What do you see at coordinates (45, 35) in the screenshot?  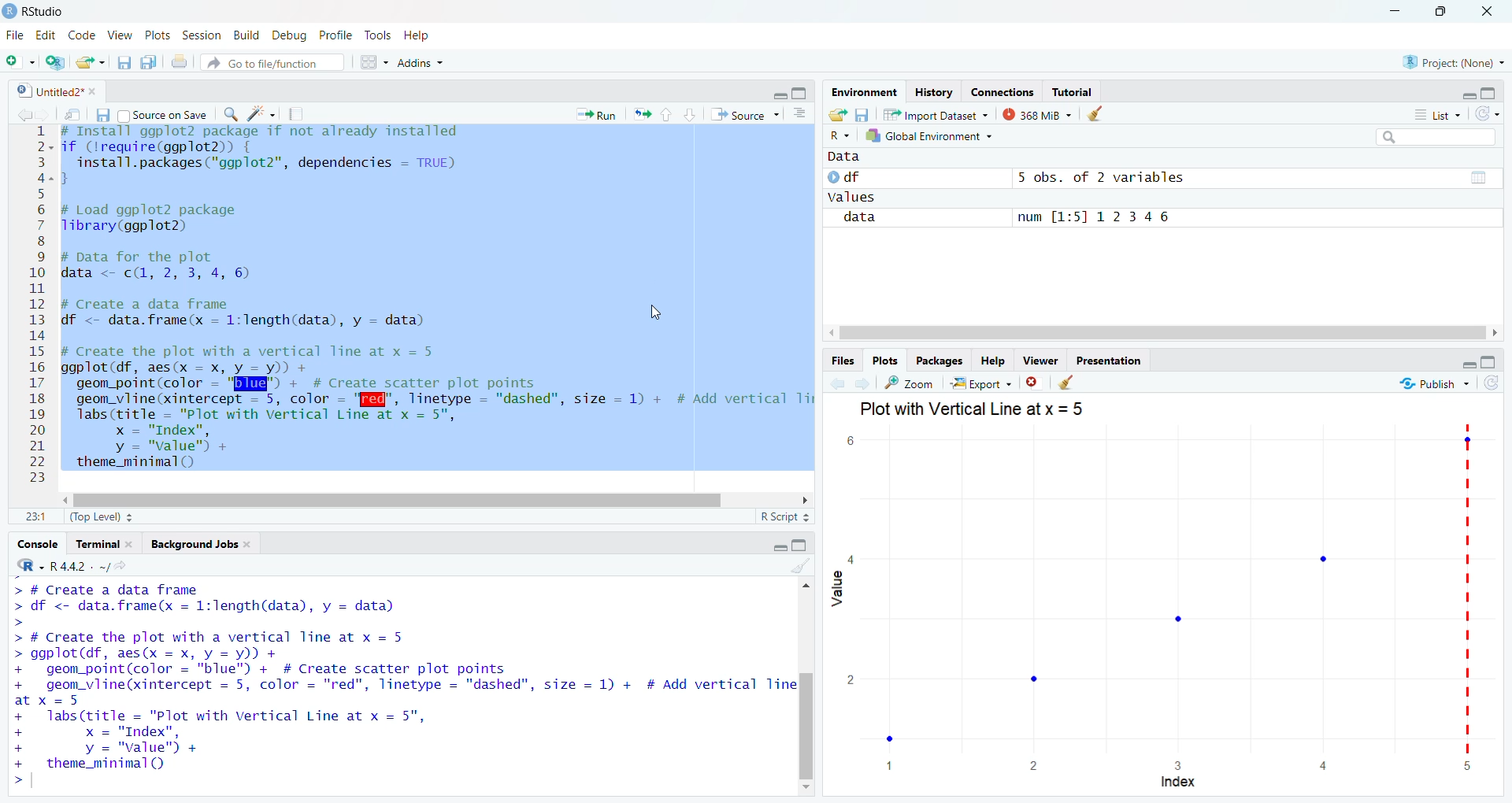 I see `Edit` at bounding box center [45, 35].